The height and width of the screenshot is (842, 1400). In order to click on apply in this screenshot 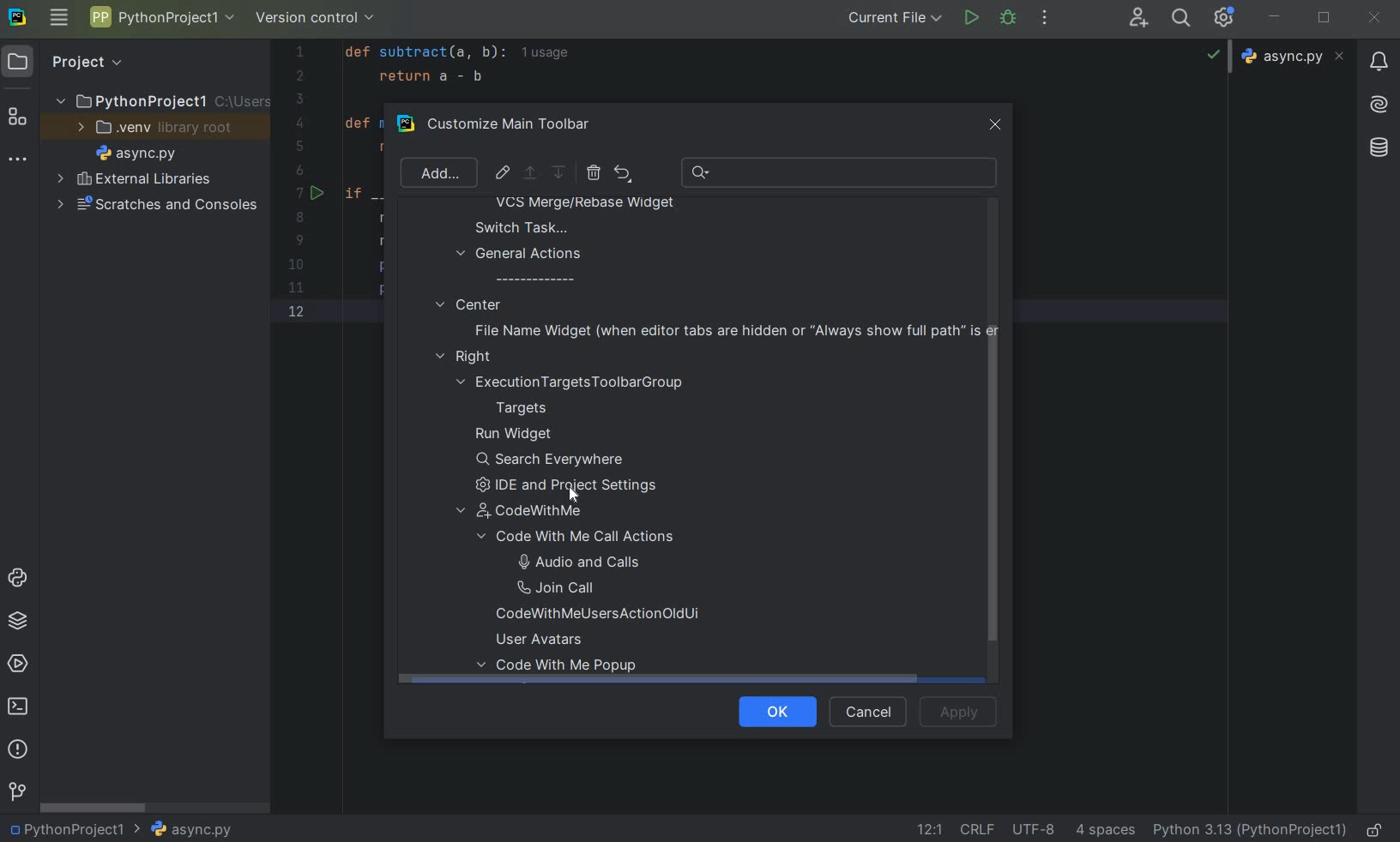, I will do `click(959, 711)`.